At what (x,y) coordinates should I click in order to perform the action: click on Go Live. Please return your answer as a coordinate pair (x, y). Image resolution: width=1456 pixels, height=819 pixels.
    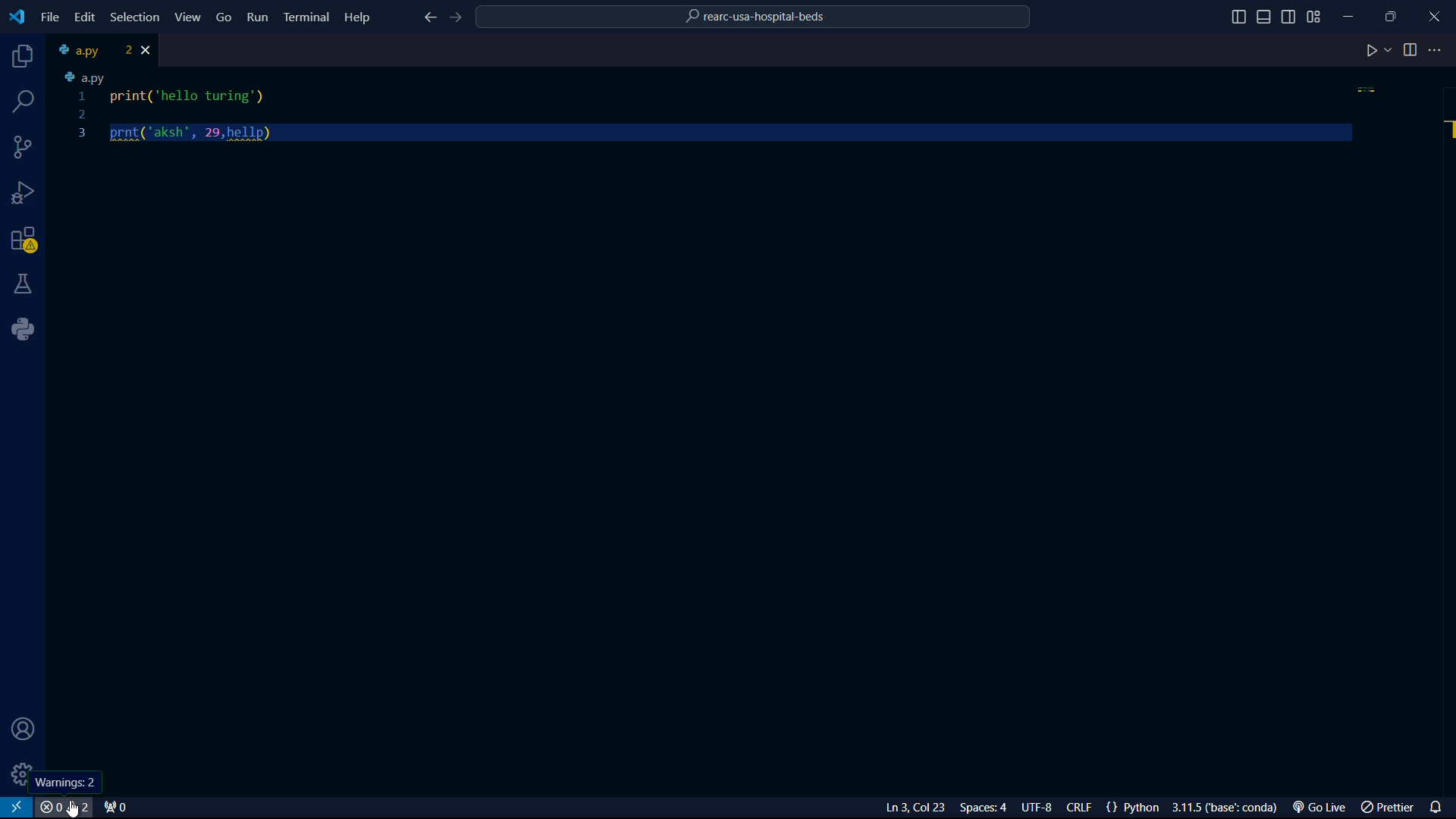
    Looking at the image, I should click on (1323, 808).